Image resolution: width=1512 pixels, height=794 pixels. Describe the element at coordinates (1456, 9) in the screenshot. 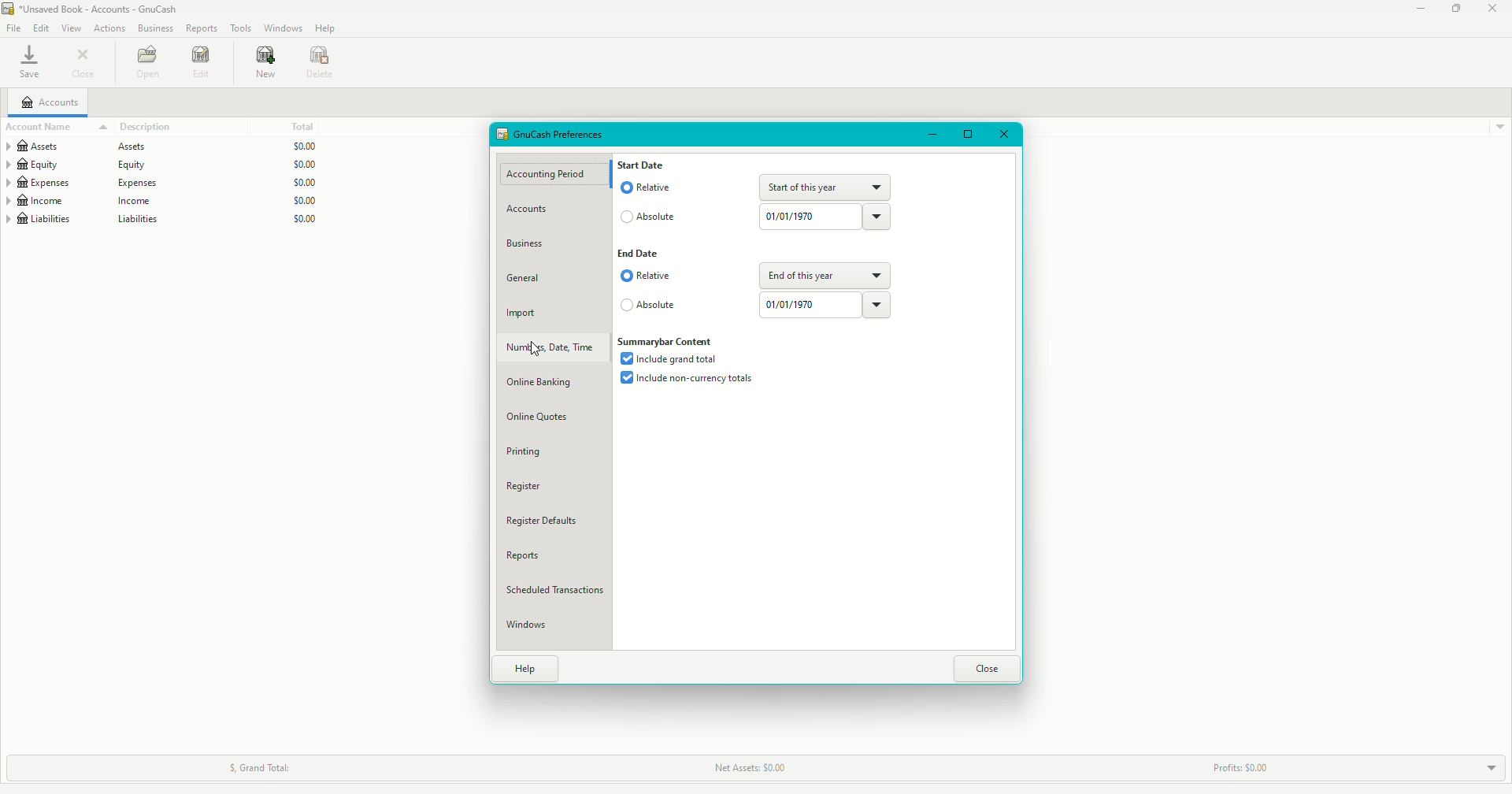

I see `Restore` at that location.